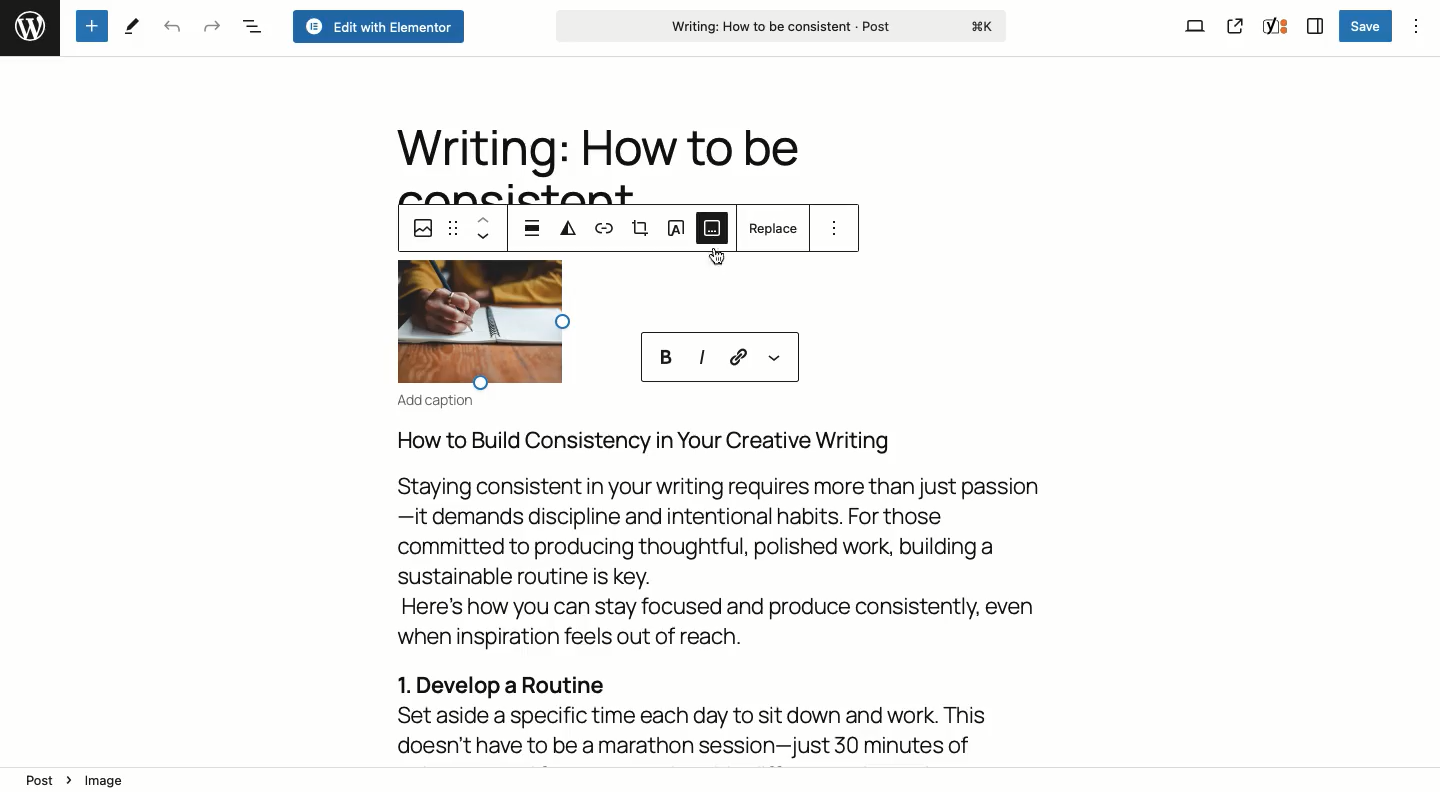 Image resolution: width=1440 pixels, height=792 pixels. I want to click on Redo, so click(209, 25).